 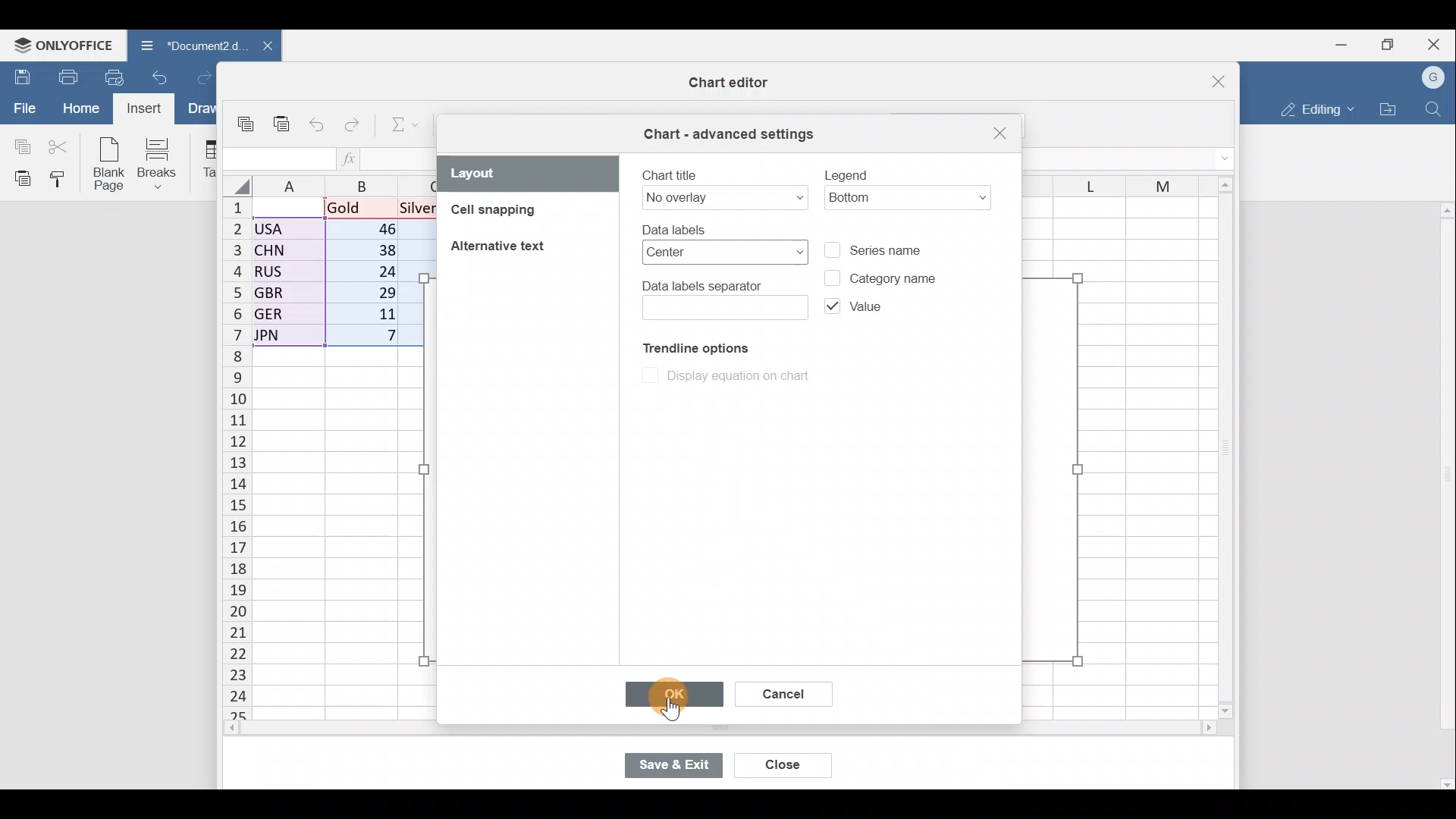 What do you see at coordinates (19, 144) in the screenshot?
I see `Copy` at bounding box center [19, 144].